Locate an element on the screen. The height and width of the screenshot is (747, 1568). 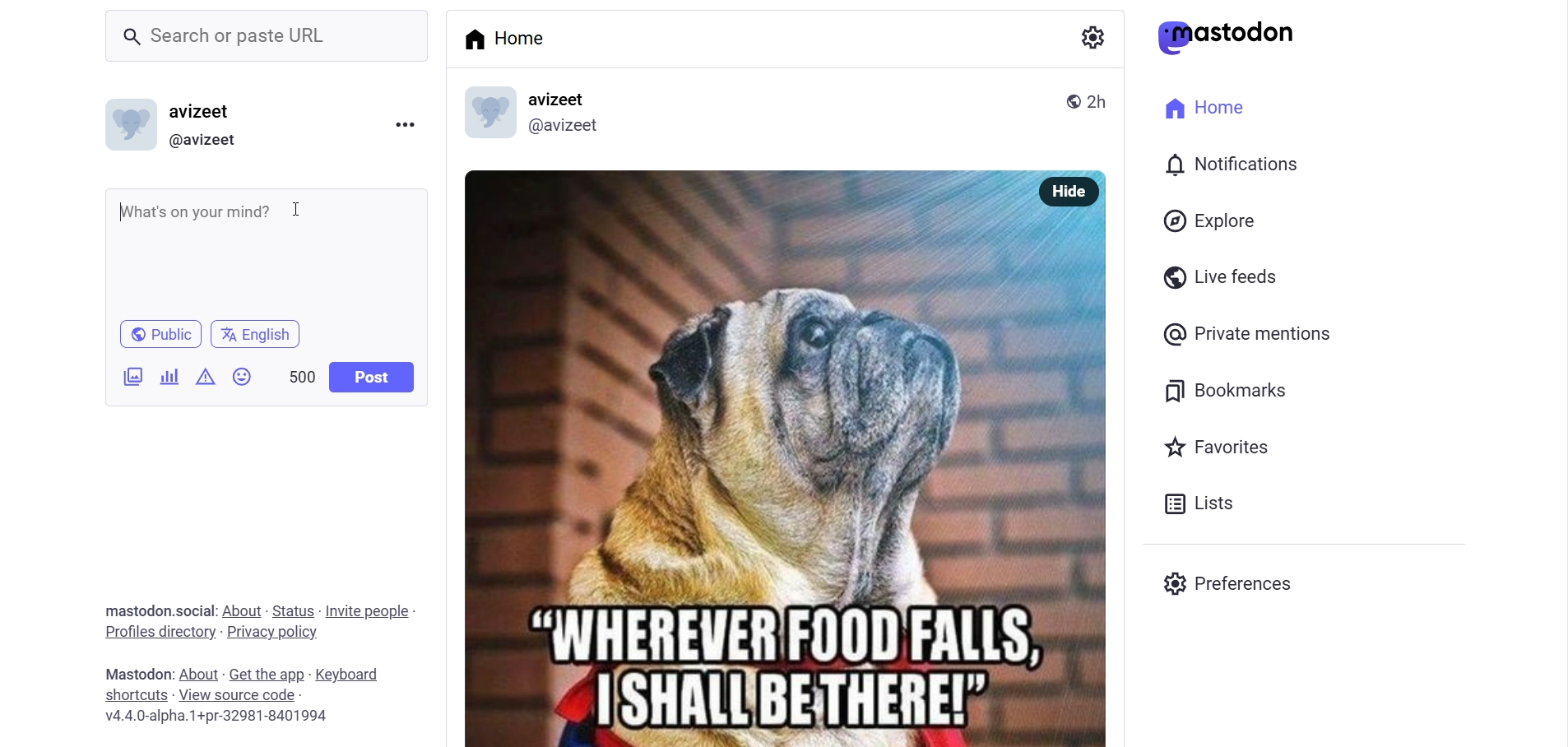
cursor is located at coordinates (298, 206).